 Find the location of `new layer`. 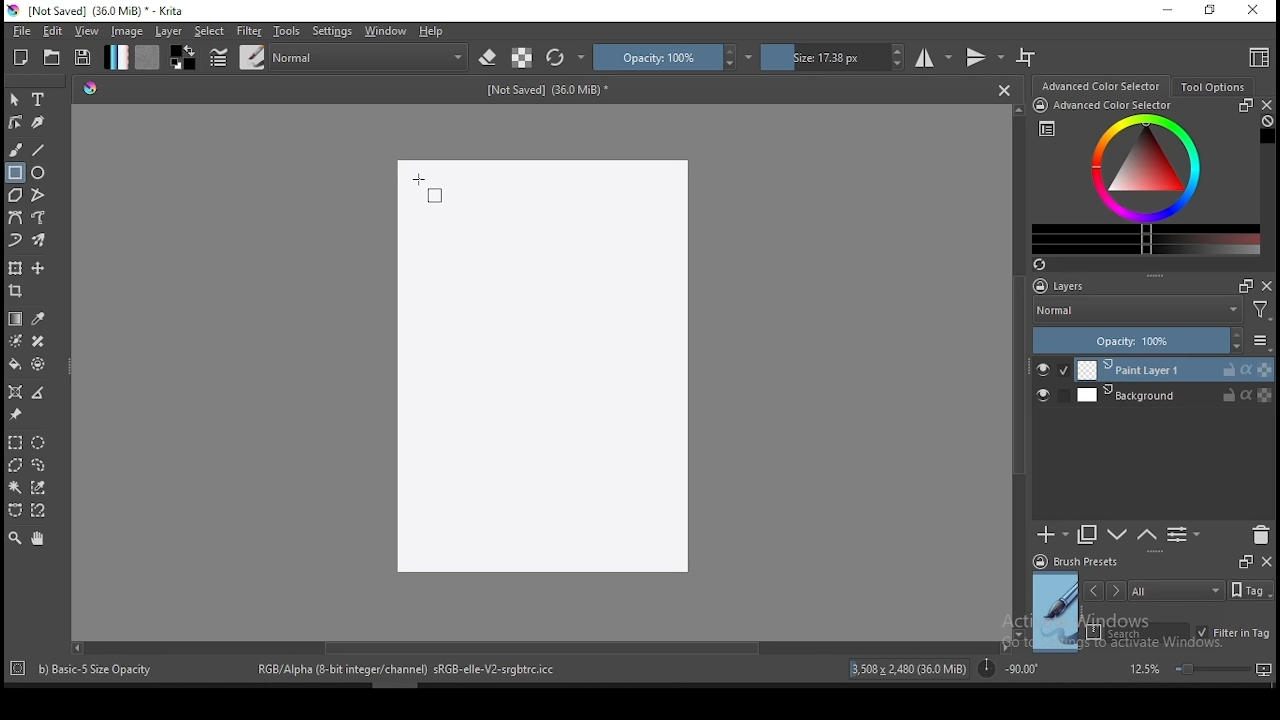

new layer is located at coordinates (1053, 534).